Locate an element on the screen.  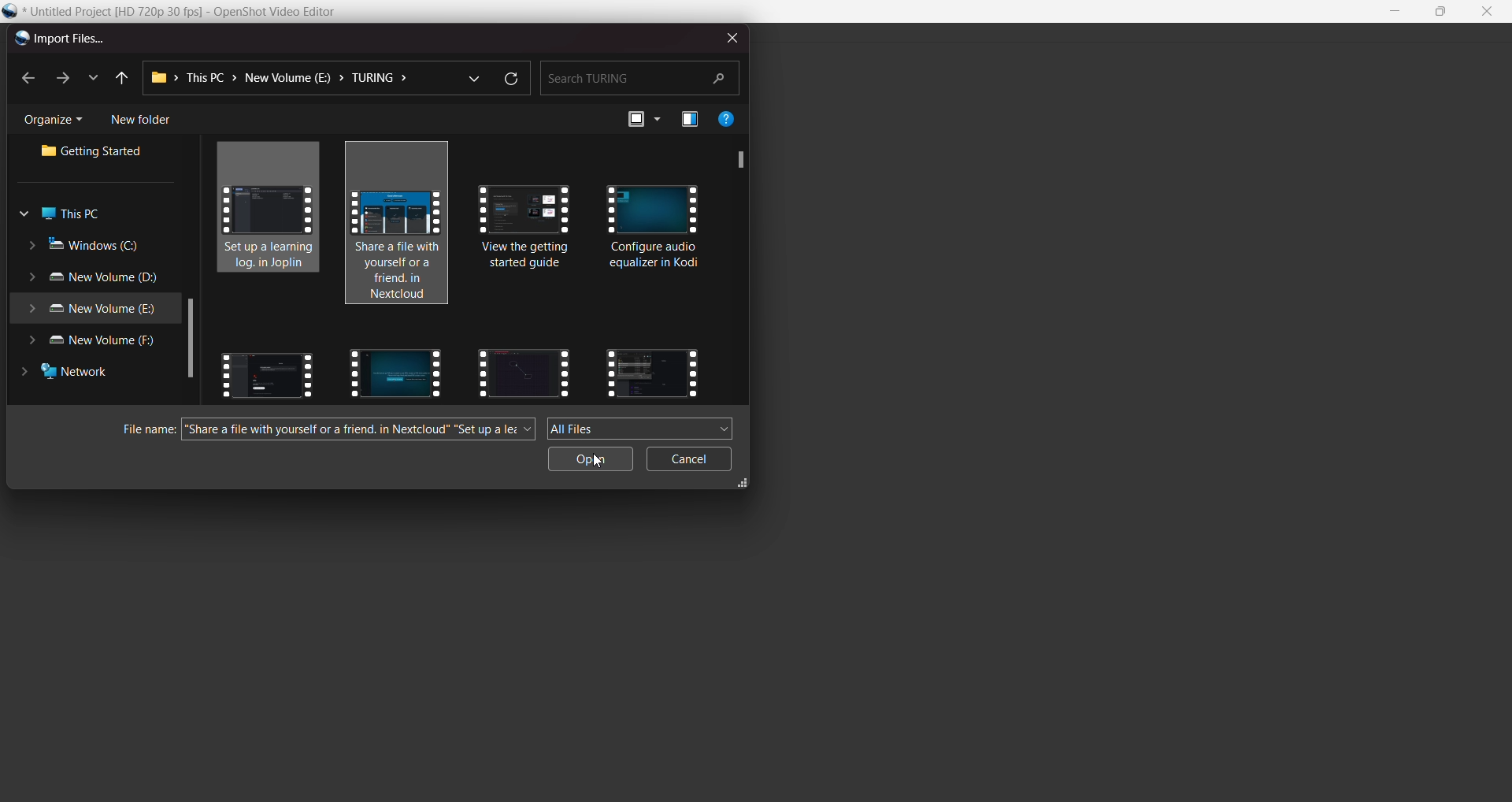
back is located at coordinates (29, 80).